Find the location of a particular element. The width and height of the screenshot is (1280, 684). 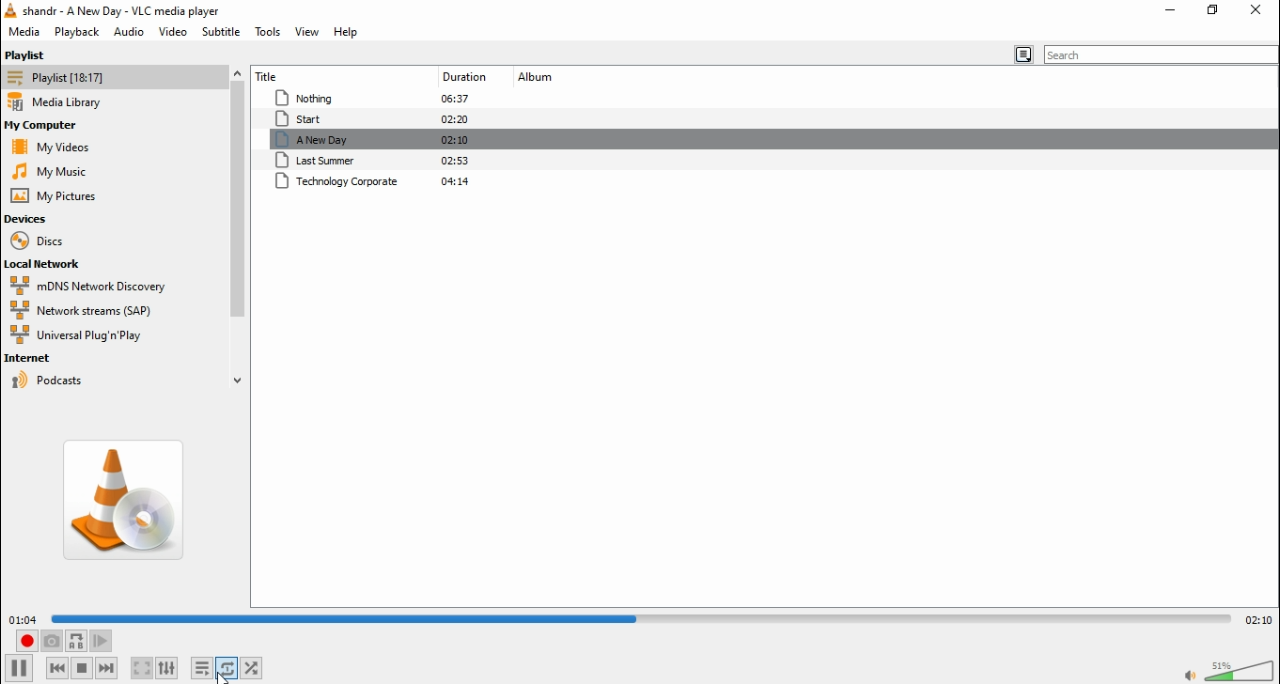

media library is located at coordinates (66, 102).